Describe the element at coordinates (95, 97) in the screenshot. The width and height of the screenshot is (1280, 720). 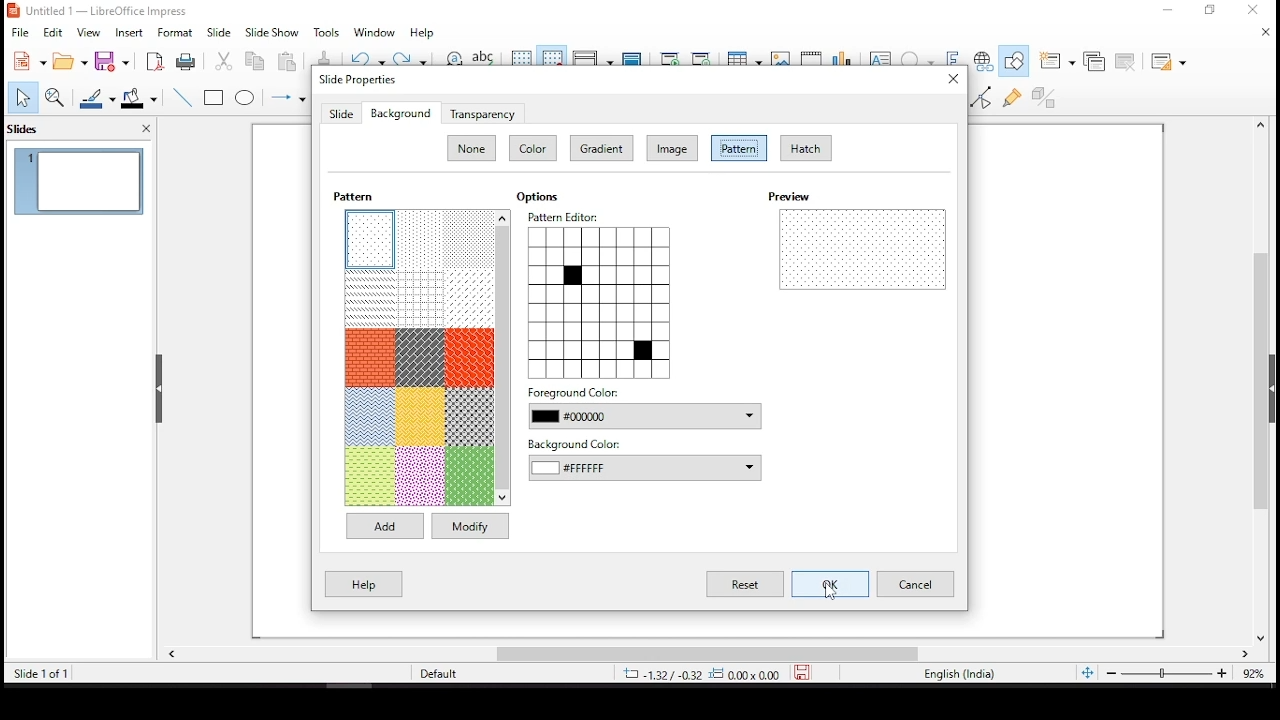
I see `line color` at that location.